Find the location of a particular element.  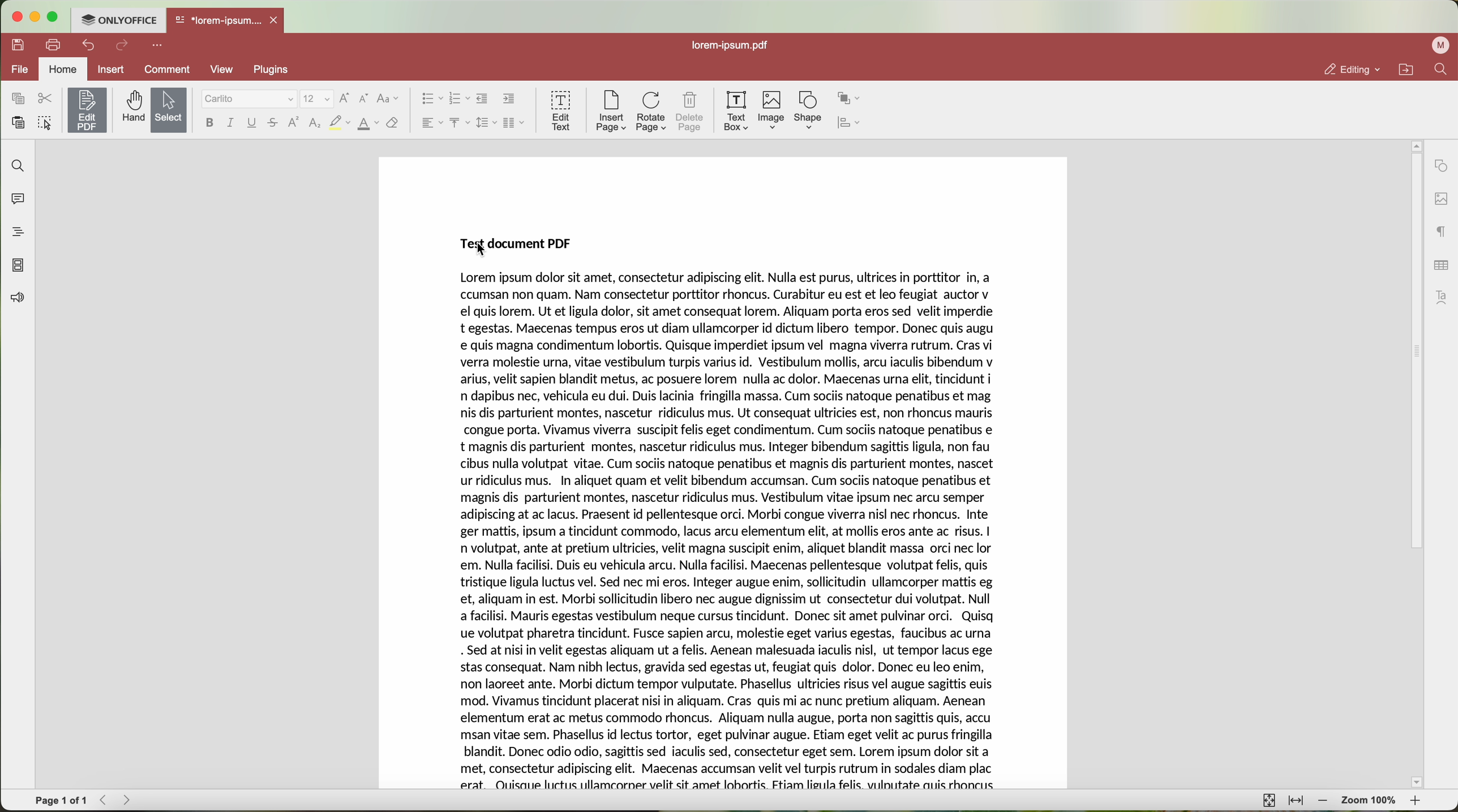

Test document PDF is located at coordinates (516, 242).